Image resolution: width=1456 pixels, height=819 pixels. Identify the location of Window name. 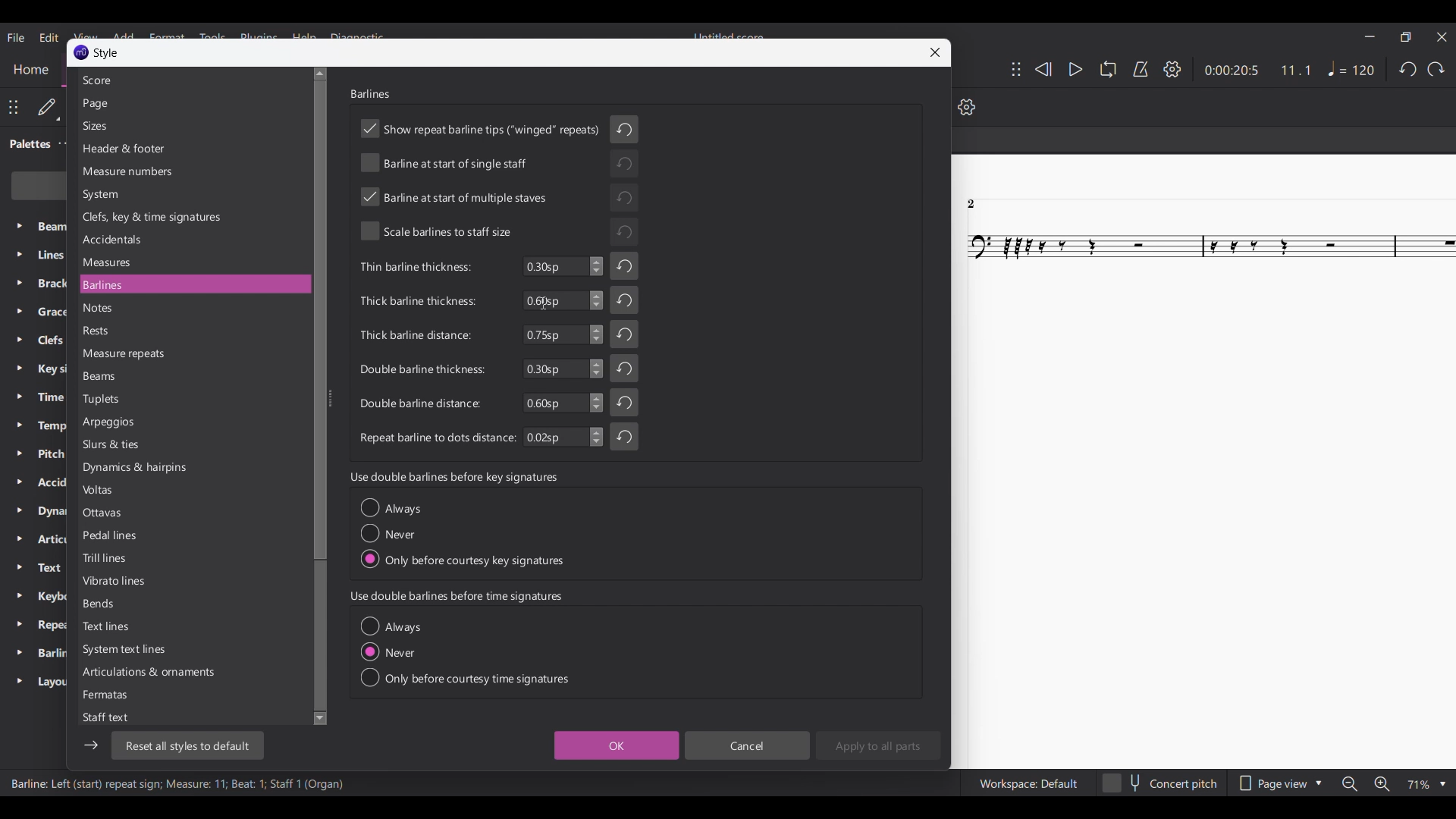
(106, 52).